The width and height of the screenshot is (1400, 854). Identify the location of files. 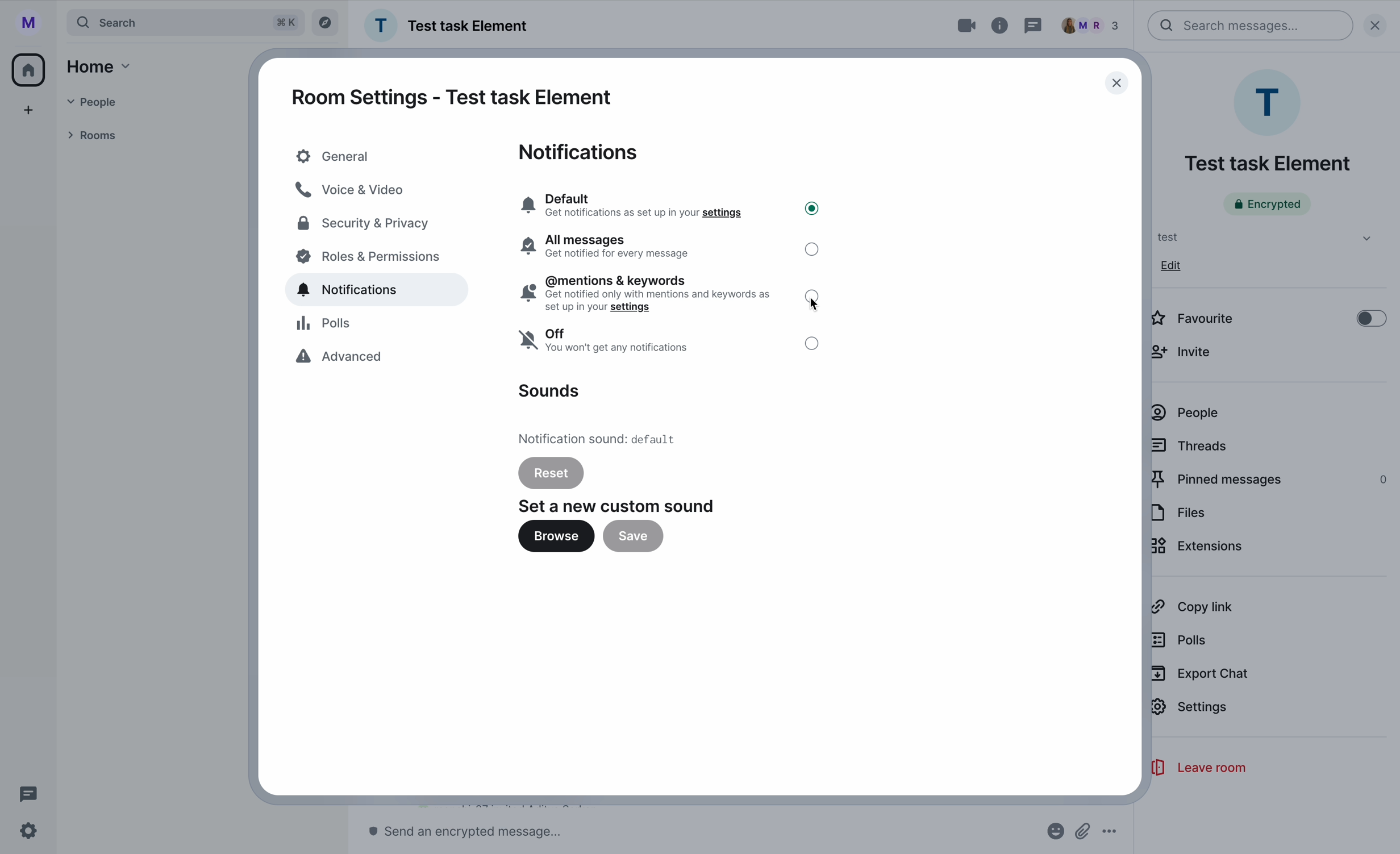
(1180, 513).